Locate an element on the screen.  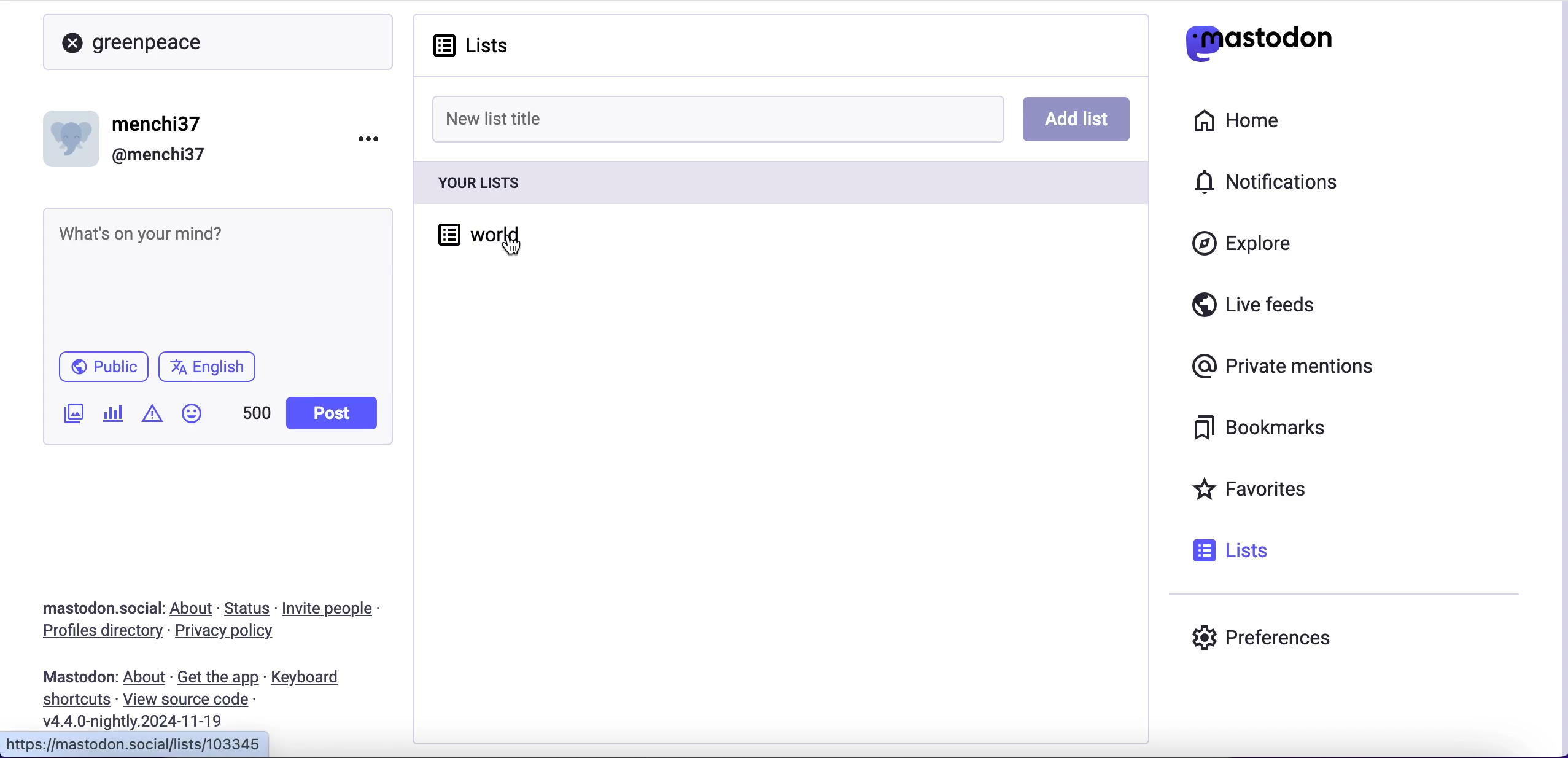
add a poll is located at coordinates (112, 418).